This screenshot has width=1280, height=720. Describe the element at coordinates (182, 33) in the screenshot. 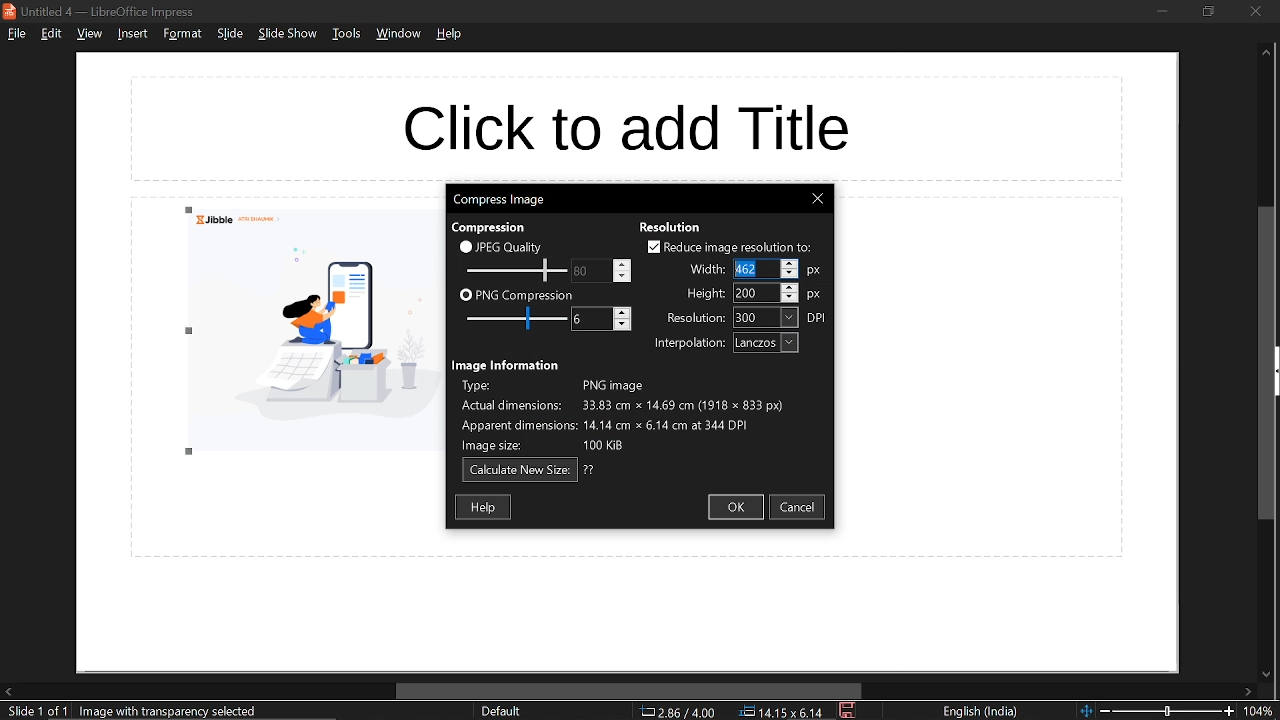

I see `format` at that location.